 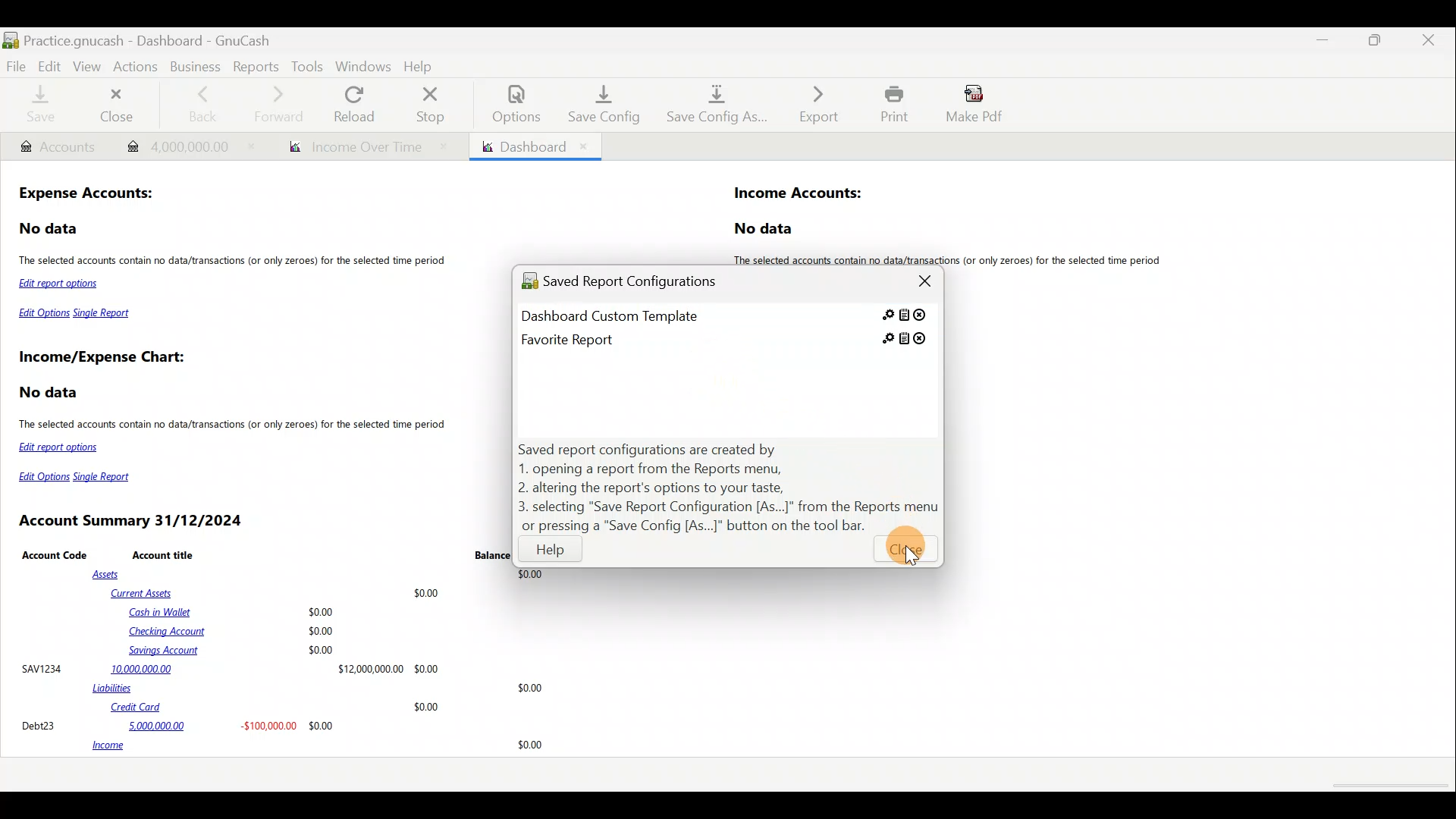 I want to click on Income/Expense Chart:, so click(x=102, y=359).